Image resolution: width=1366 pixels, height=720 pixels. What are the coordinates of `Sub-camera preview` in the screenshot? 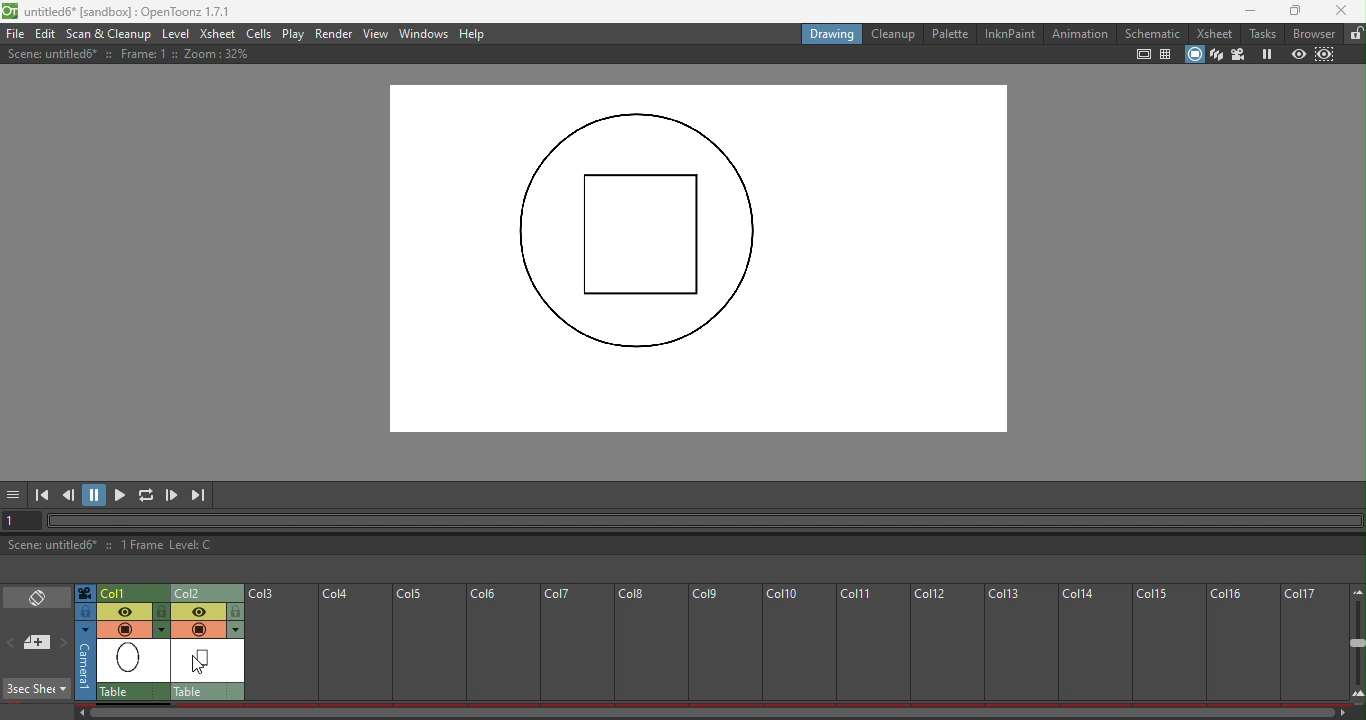 It's located at (1327, 54).